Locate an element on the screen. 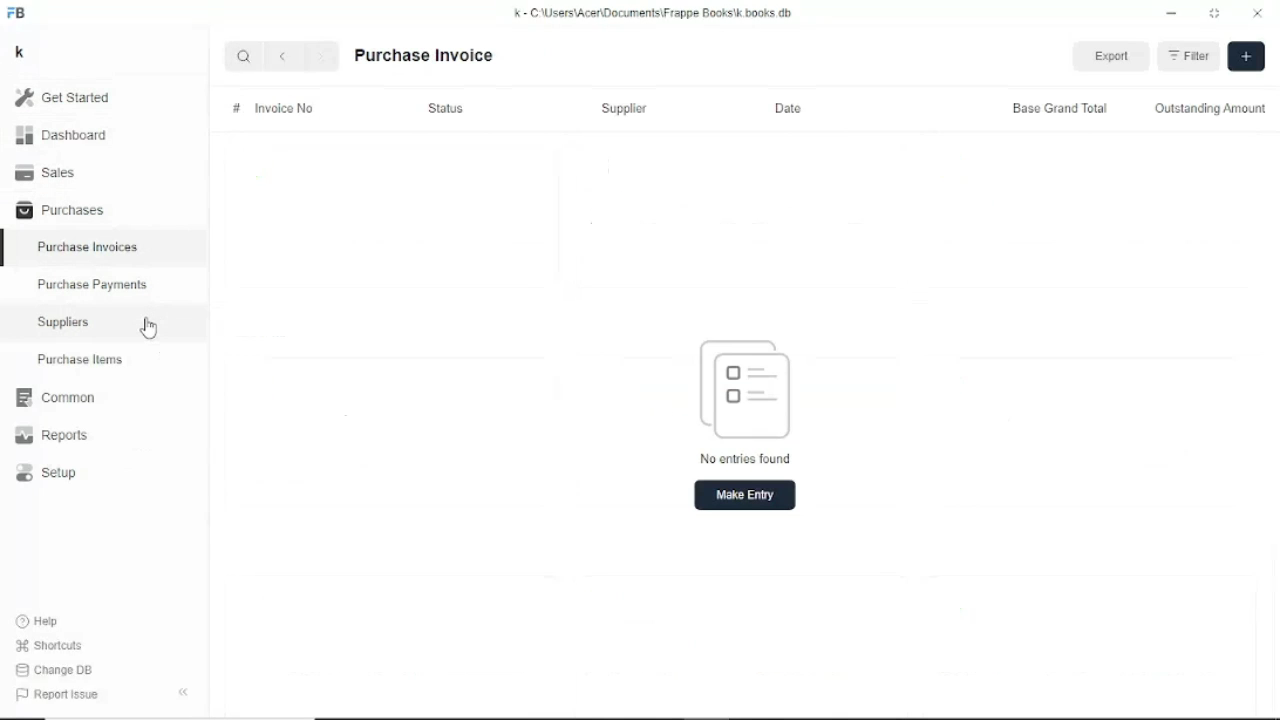 This screenshot has height=720, width=1280. Export is located at coordinates (1111, 55).